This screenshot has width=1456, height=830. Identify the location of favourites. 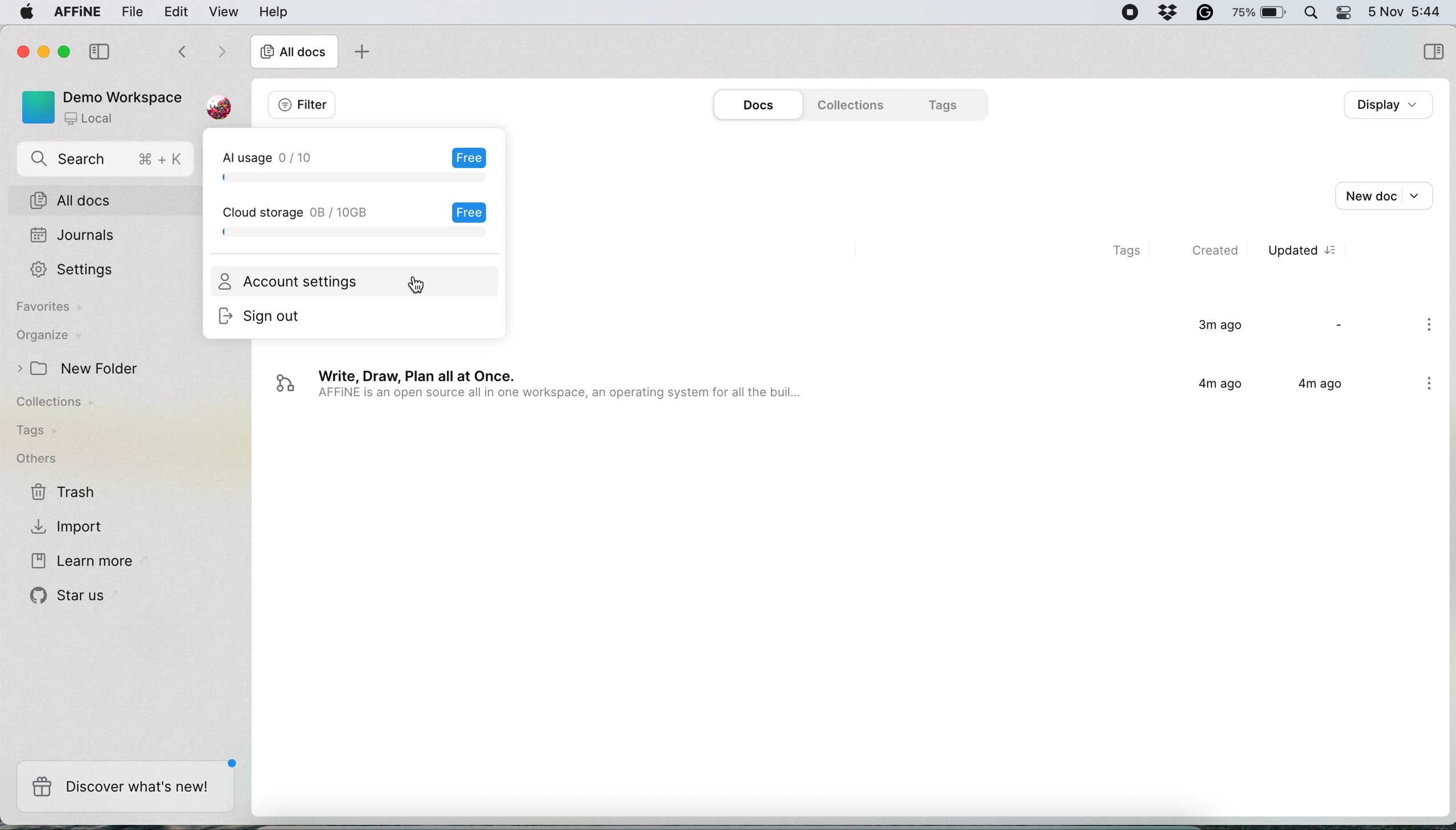
(52, 309).